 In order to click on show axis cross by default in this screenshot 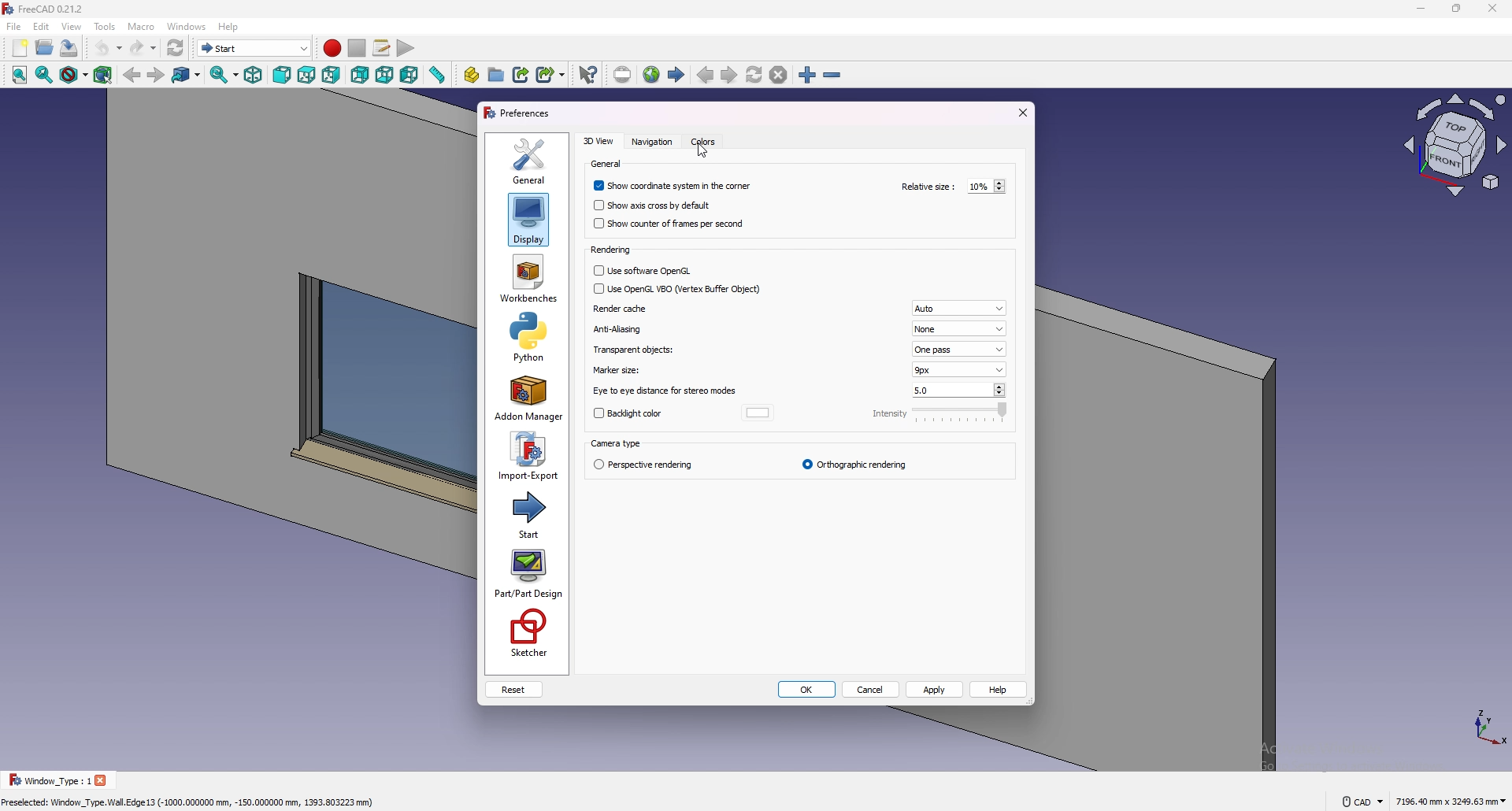, I will do `click(654, 206)`.